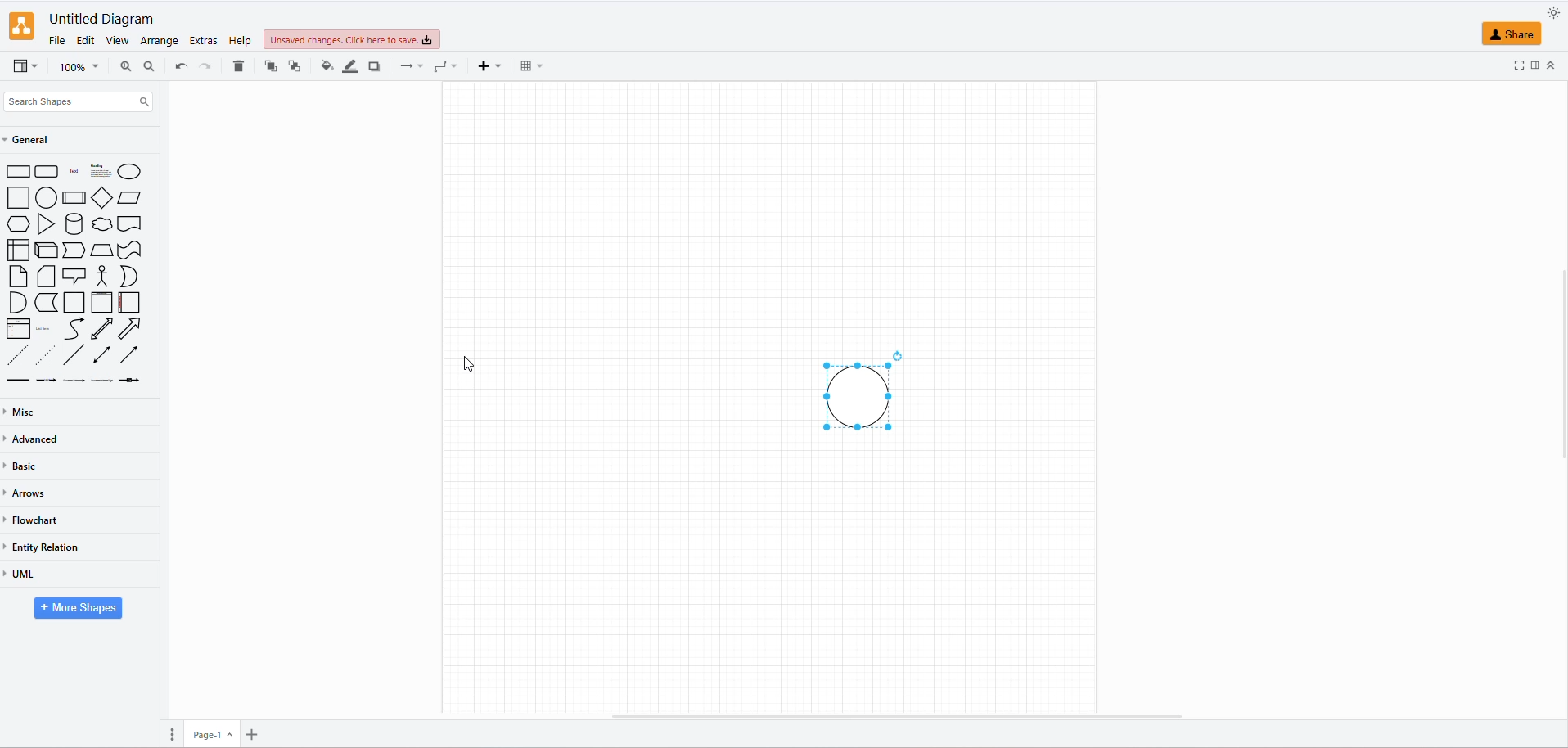 The width and height of the screenshot is (1568, 748). I want to click on PROCESS, so click(74, 198).